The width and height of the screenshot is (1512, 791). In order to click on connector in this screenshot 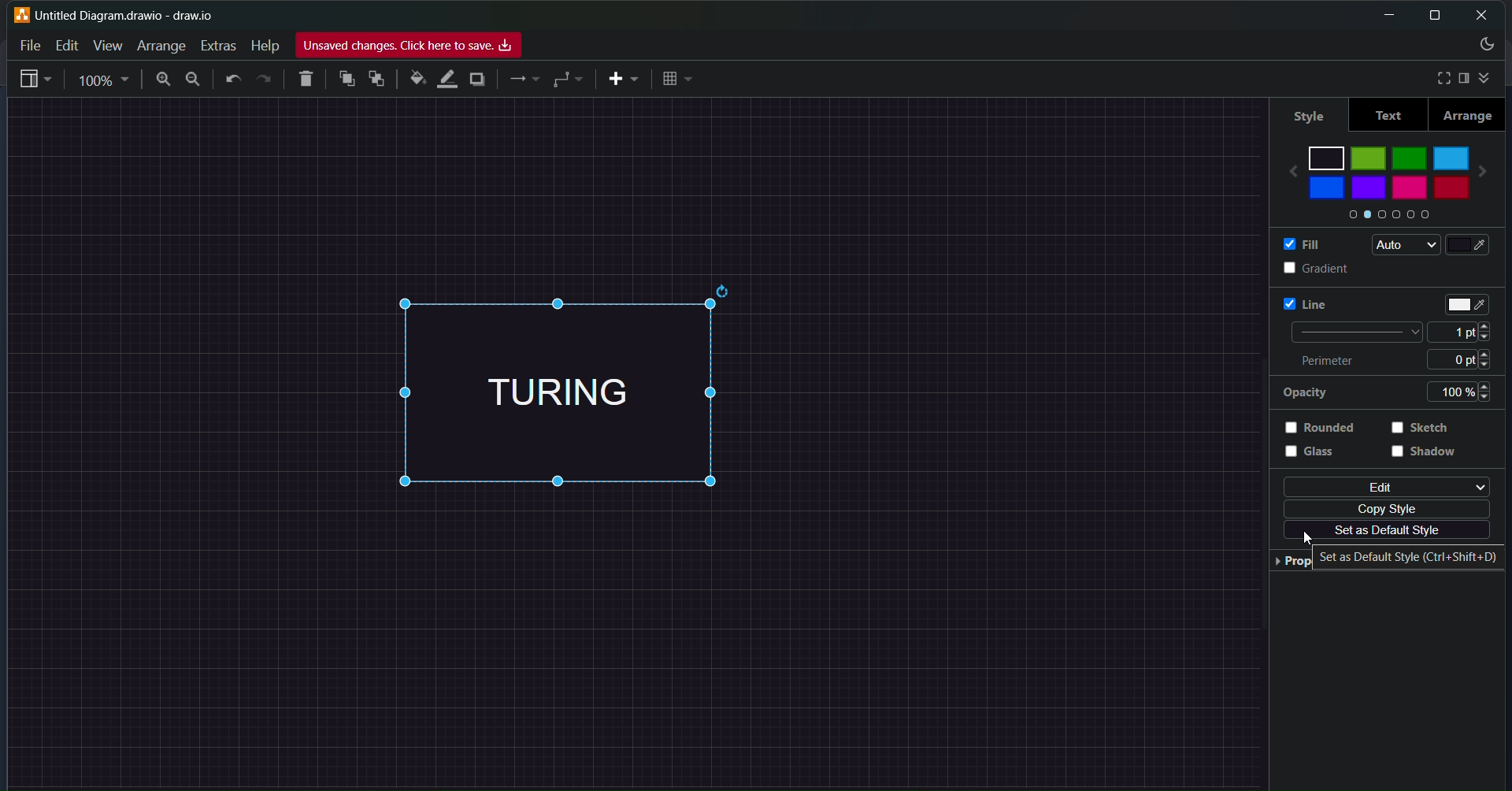, I will do `click(569, 79)`.